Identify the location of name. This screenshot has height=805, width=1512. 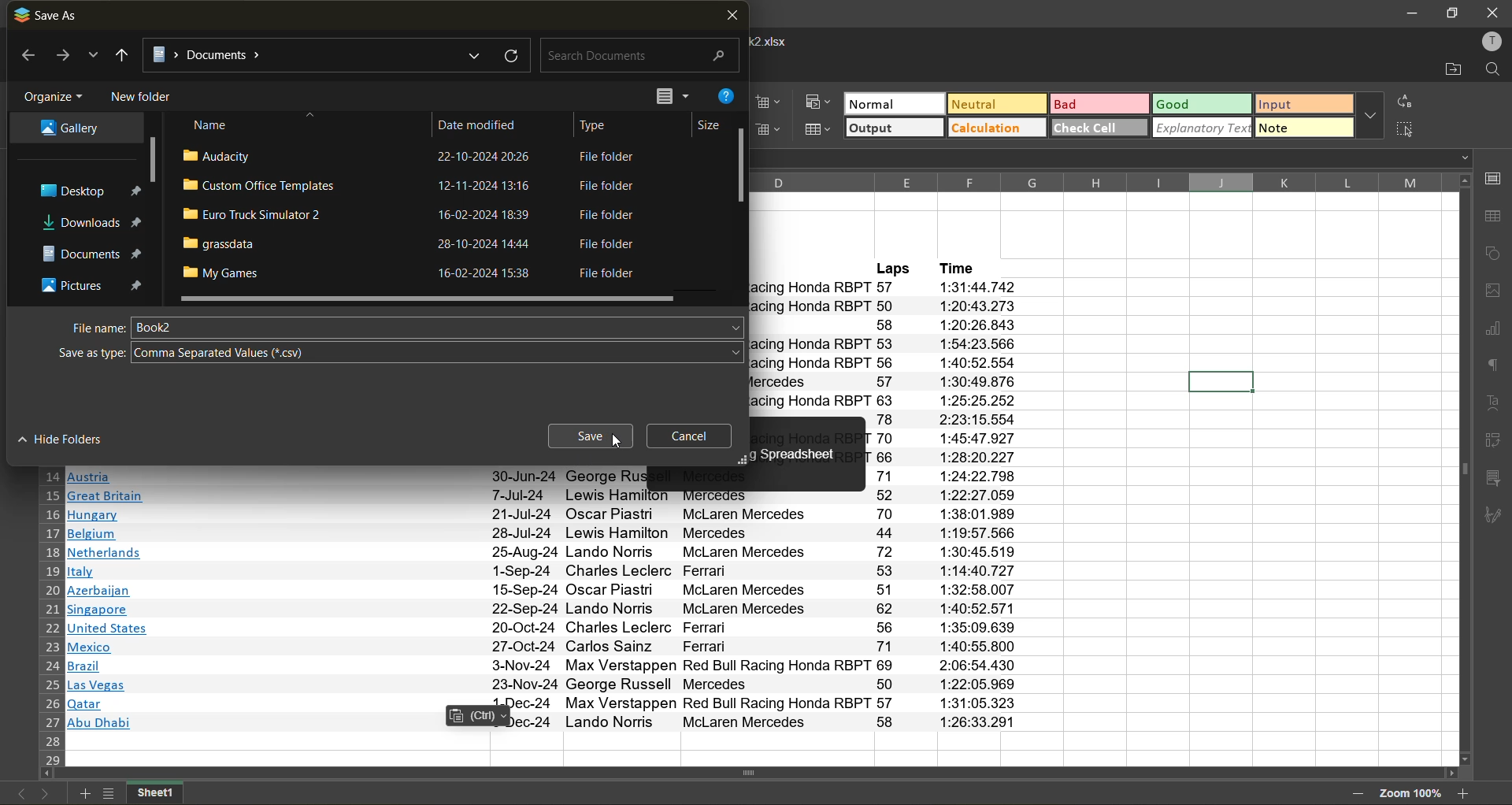
(213, 124).